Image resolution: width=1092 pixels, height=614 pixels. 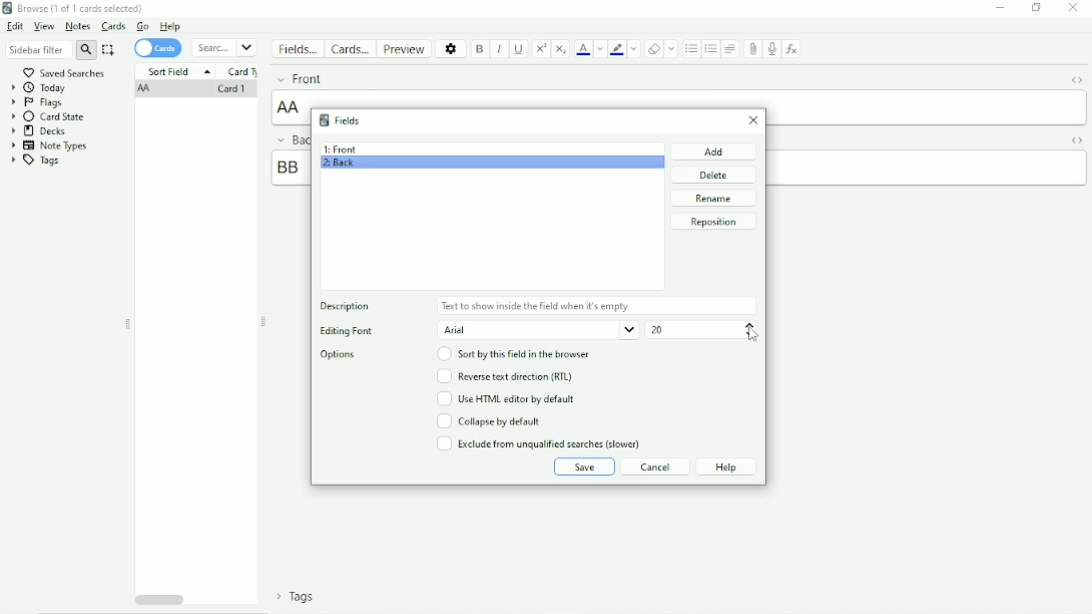 What do you see at coordinates (654, 49) in the screenshot?
I see `Remove formatting` at bounding box center [654, 49].